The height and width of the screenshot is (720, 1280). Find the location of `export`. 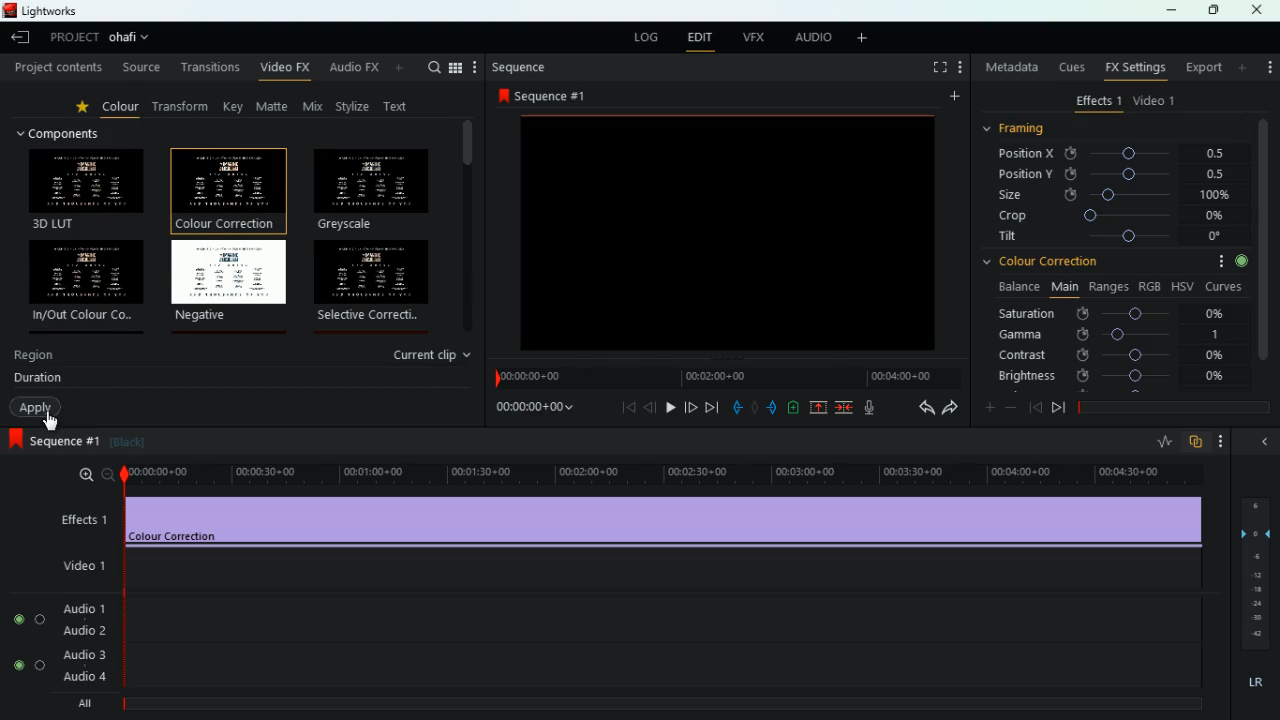

export is located at coordinates (1203, 67).